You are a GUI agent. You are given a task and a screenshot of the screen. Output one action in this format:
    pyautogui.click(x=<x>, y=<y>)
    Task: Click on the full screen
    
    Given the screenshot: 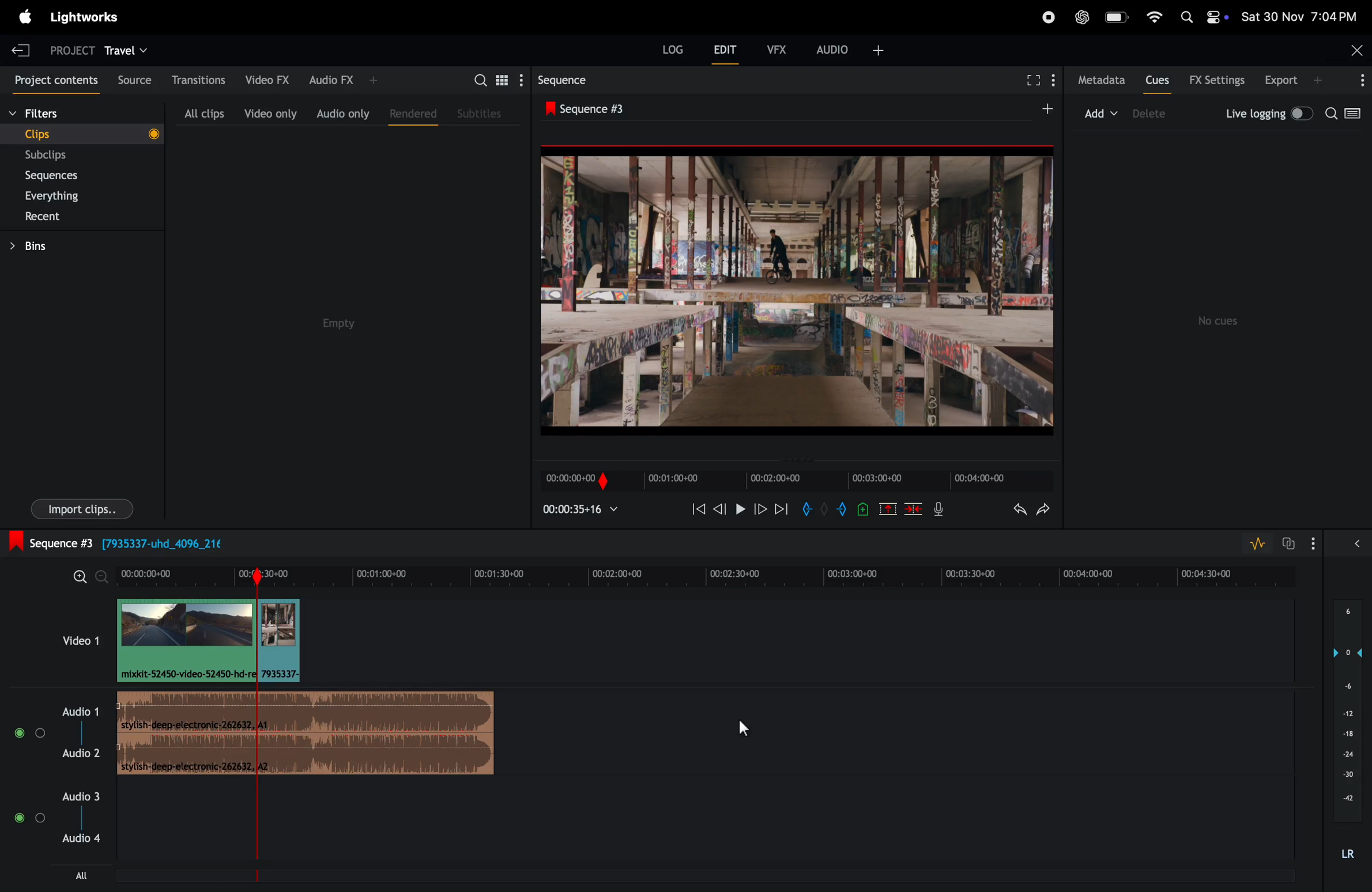 What is the action you would take?
    pyautogui.click(x=1032, y=82)
    